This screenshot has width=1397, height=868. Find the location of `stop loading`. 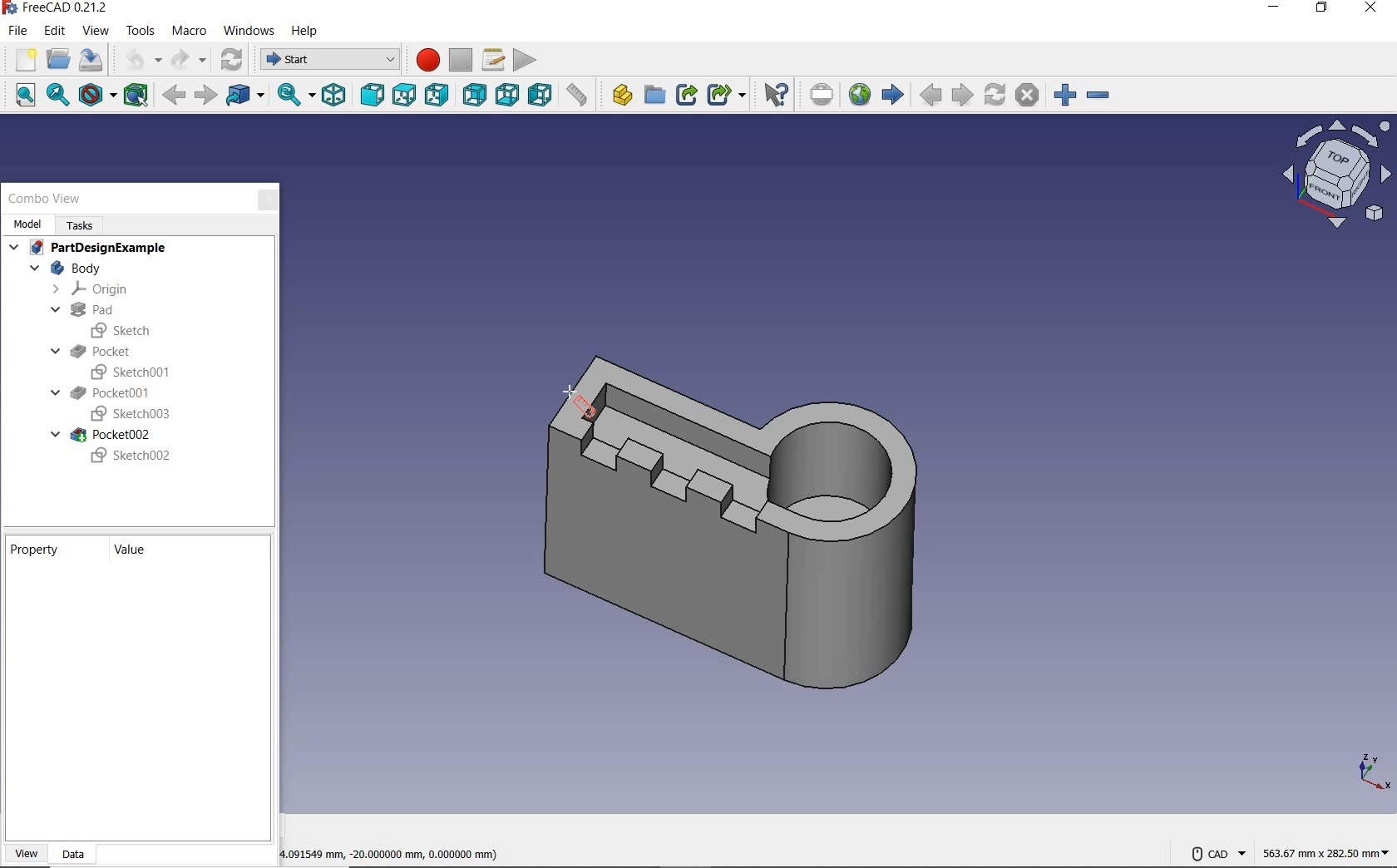

stop loading is located at coordinates (1029, 96).